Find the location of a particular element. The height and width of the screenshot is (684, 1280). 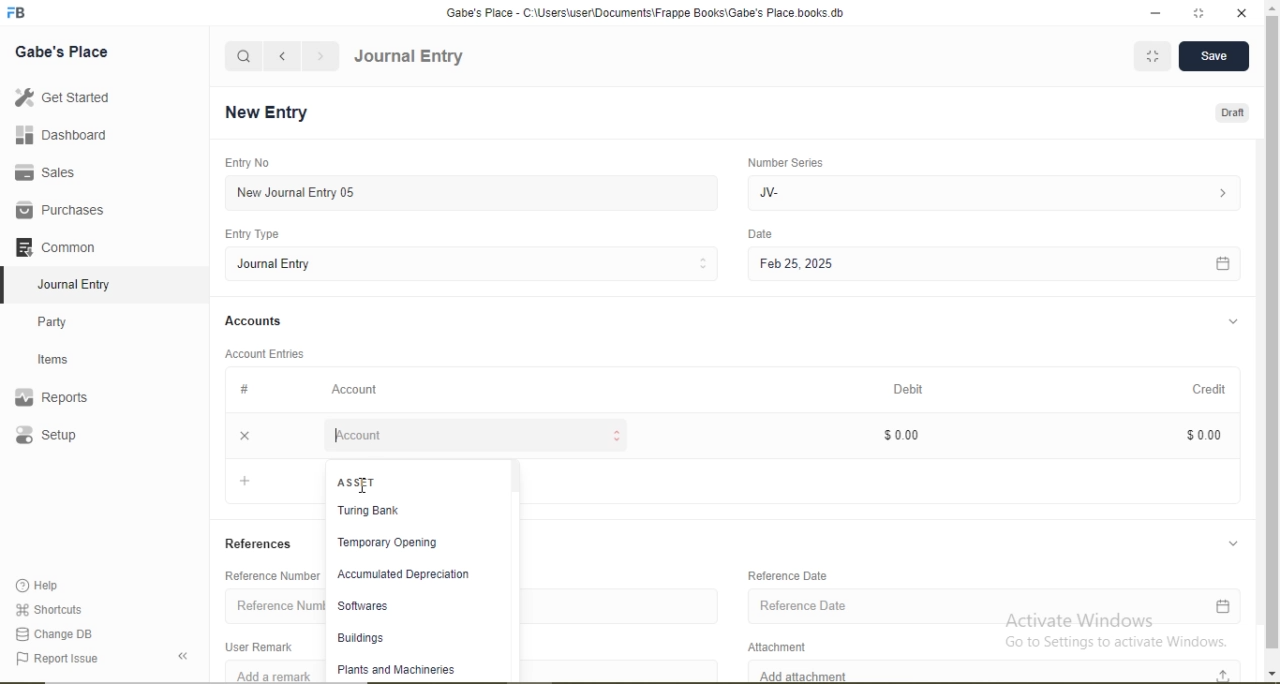

Add attachment is located at coordinates (995, 671).